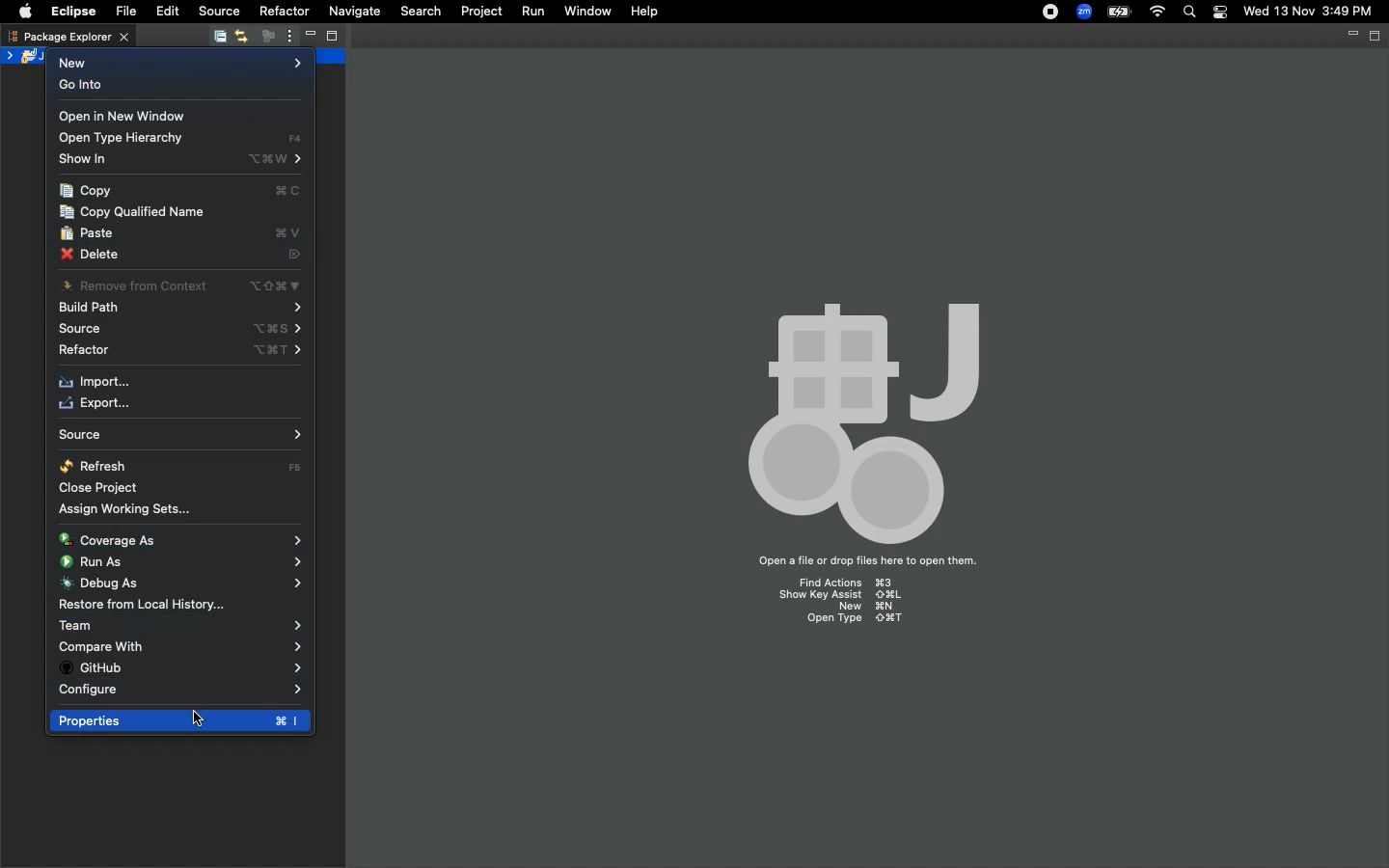  Describe the element at coordinates (182, 308) in the screenshot. I see `Build path` at that location.